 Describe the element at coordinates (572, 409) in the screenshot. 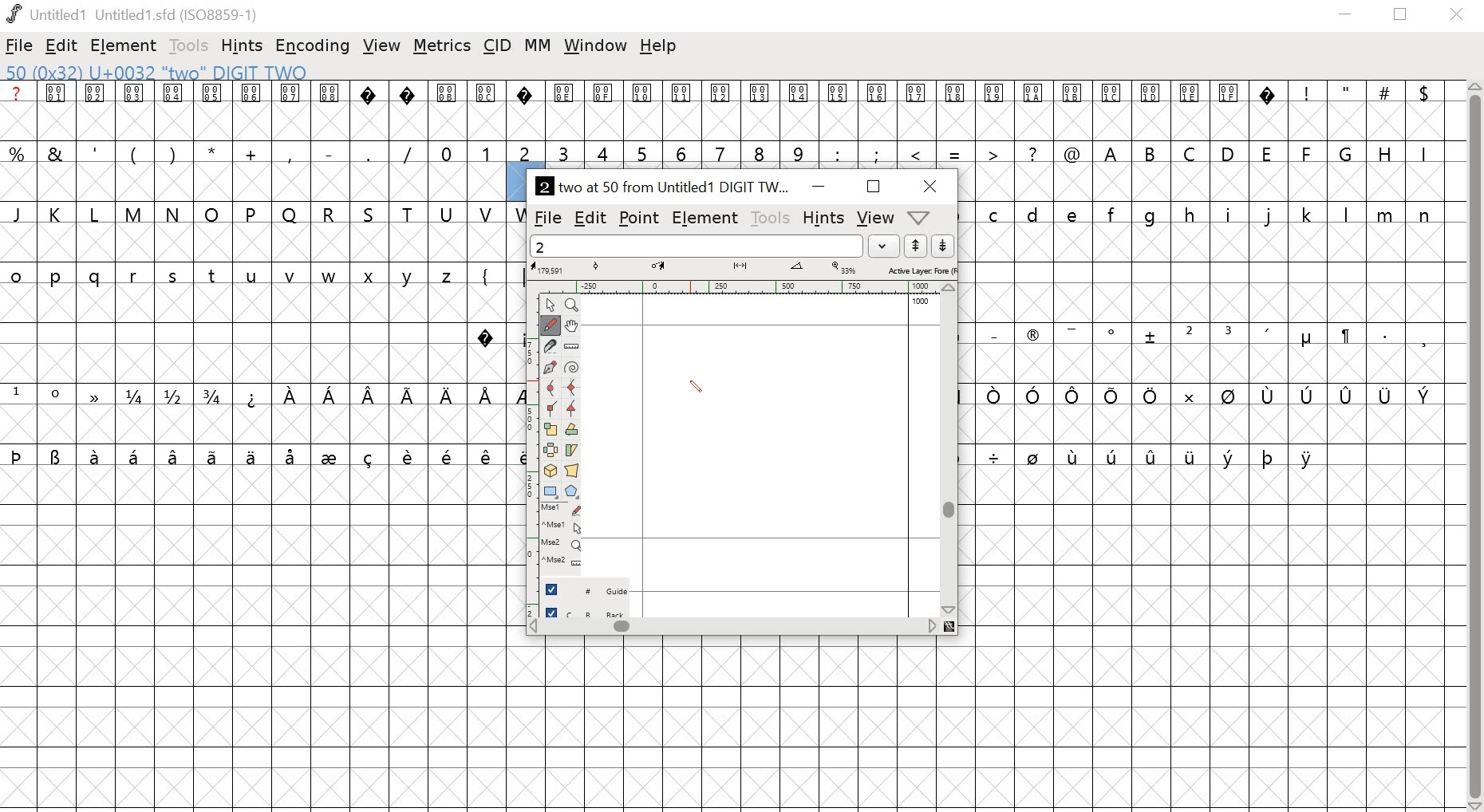

I see `tangent` at that location.